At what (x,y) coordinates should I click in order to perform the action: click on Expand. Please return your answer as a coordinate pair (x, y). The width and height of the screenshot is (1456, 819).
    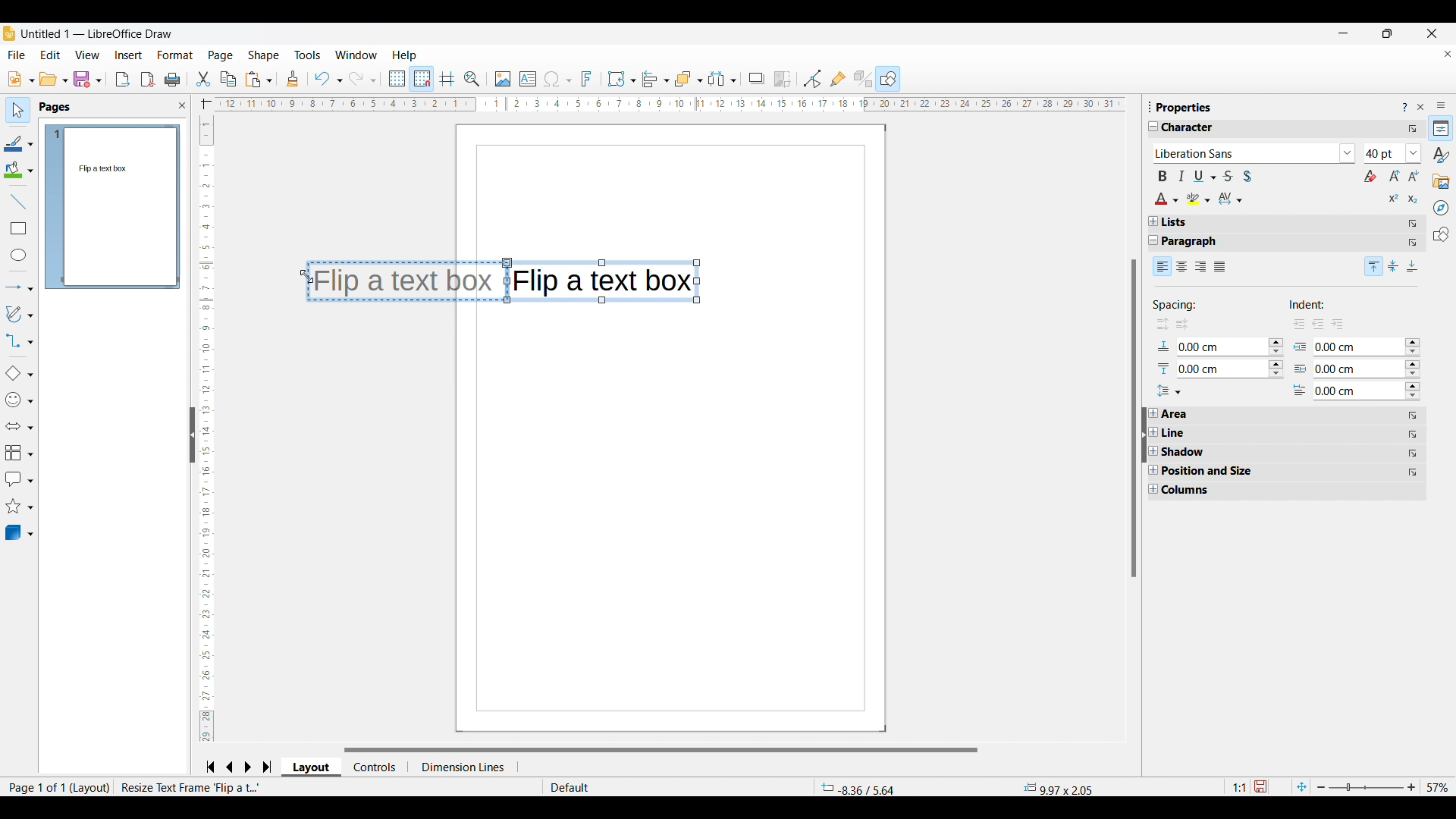
    Looking at the image, I should click on (1153, 221).